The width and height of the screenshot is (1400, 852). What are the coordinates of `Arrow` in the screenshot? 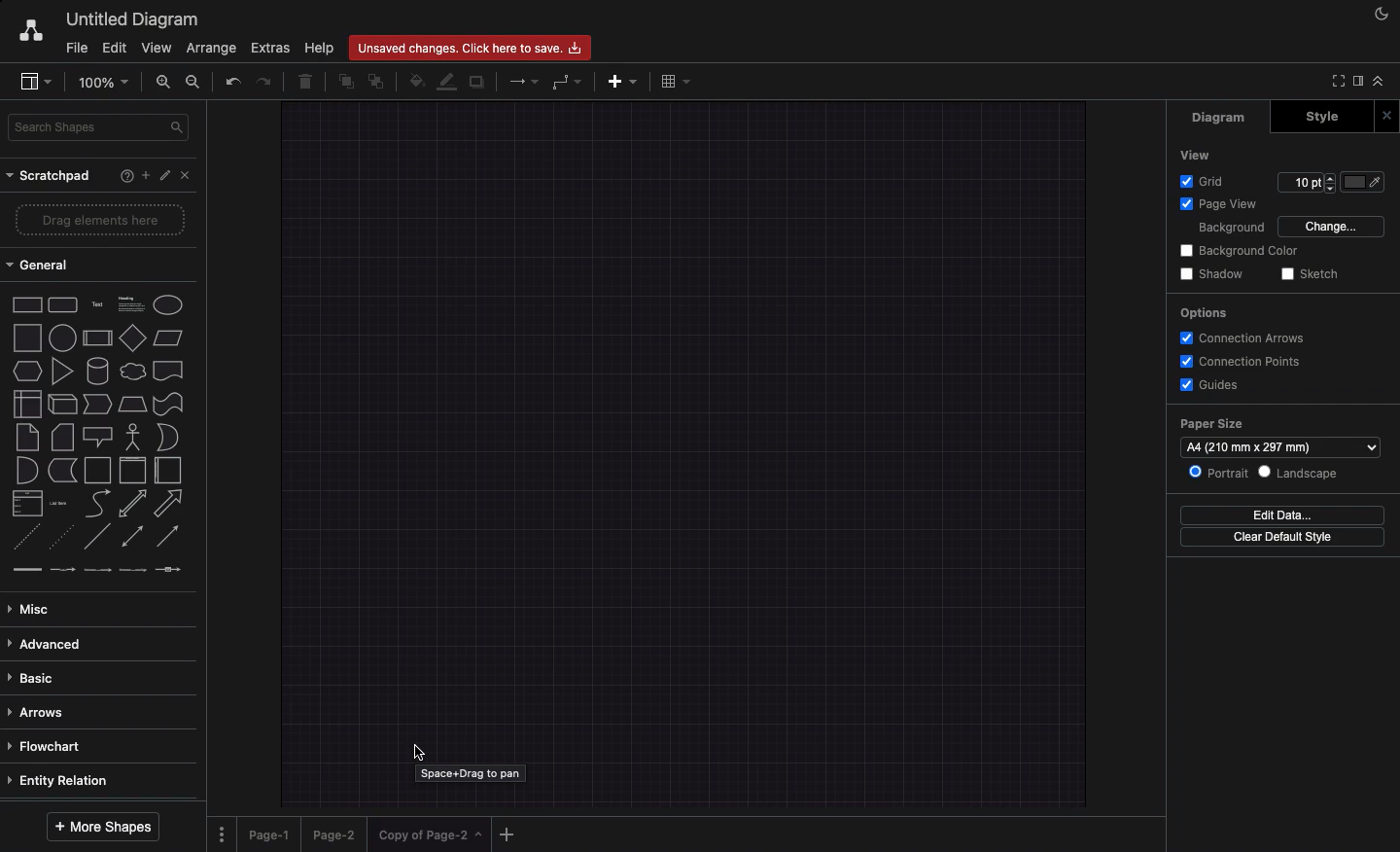 It's located at (522, 81).